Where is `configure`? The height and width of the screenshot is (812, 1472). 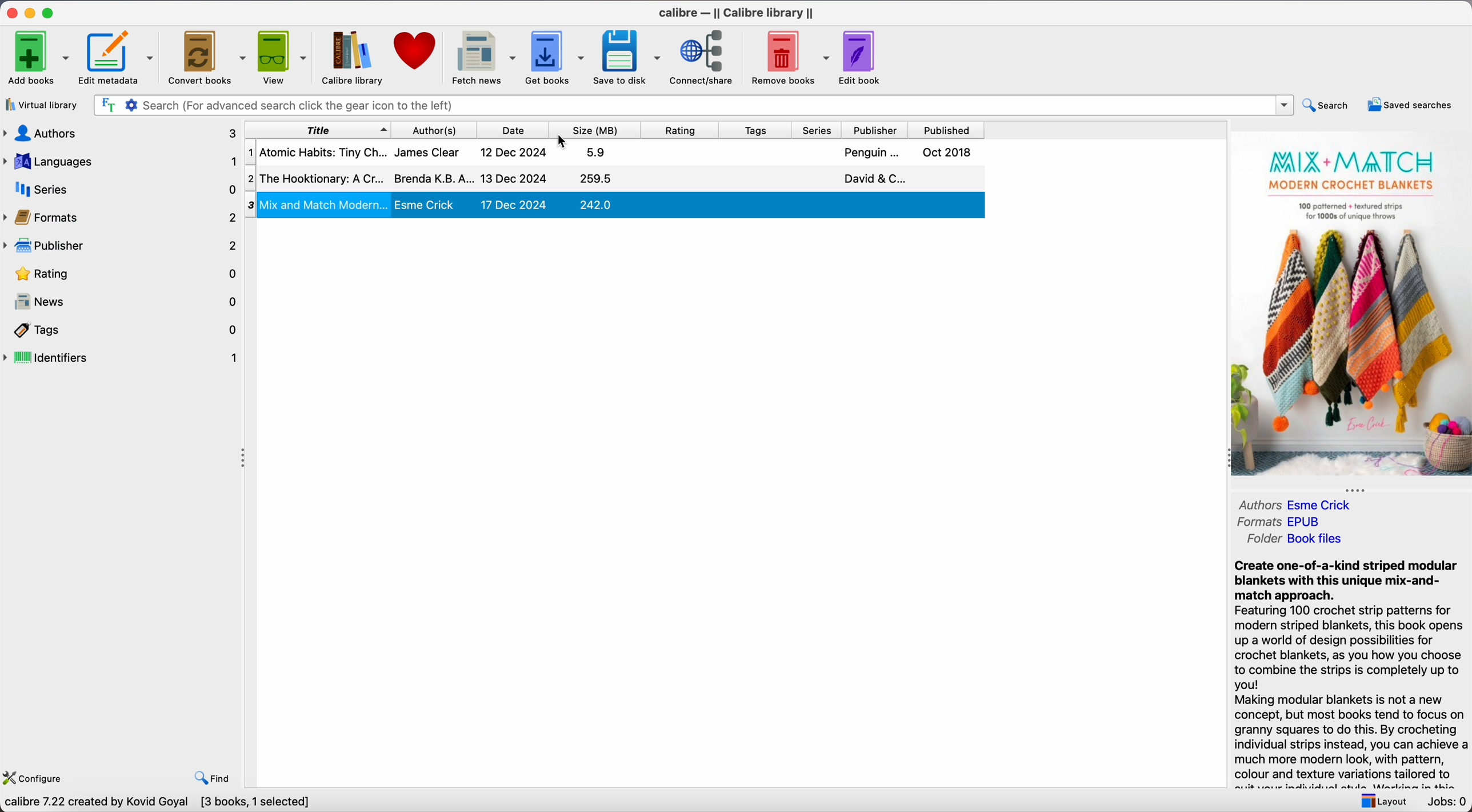
configure is located at coordinates (38, 776).